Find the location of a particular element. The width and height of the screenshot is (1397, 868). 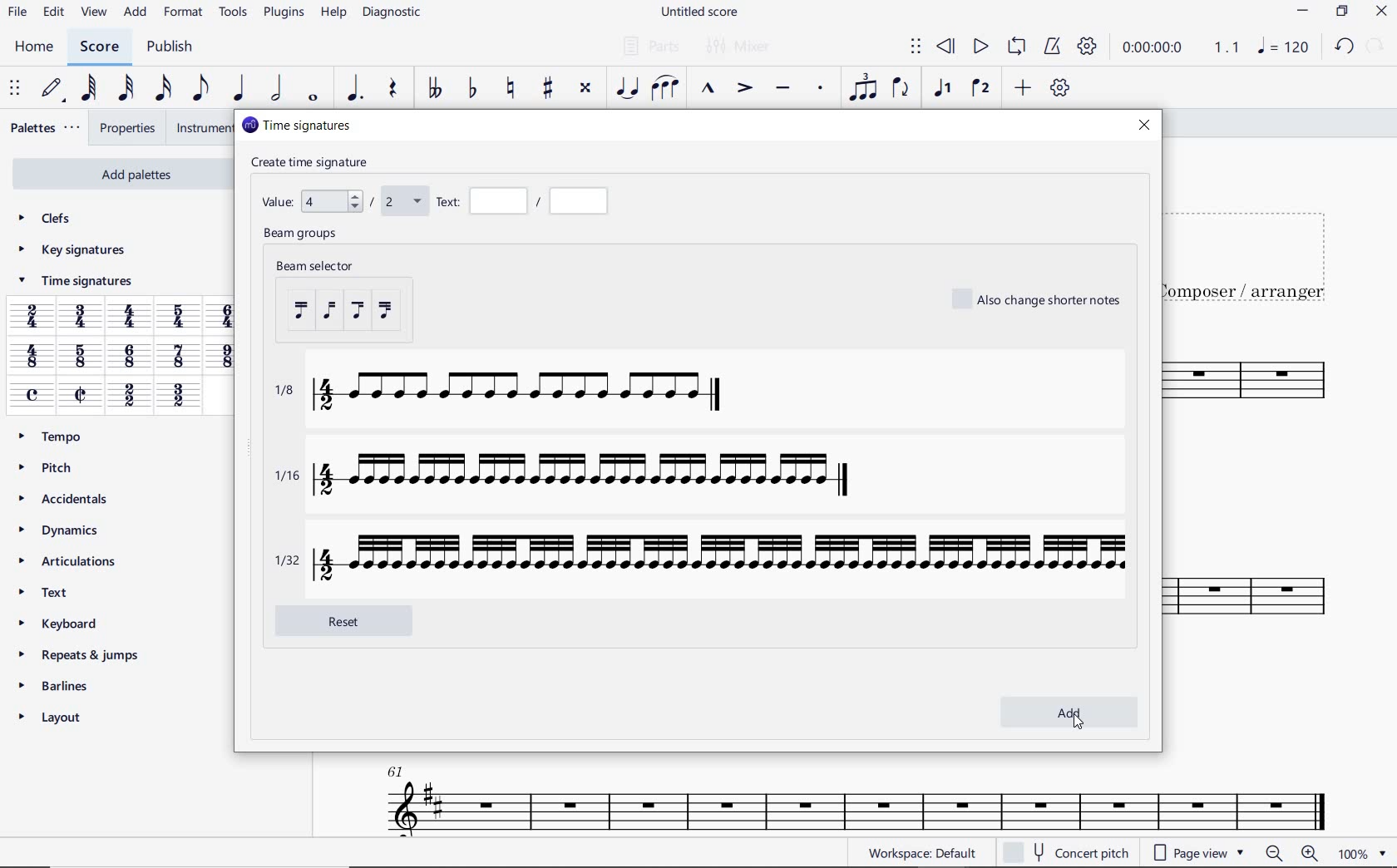

1/32 with time signature 4/2 is located at coordinates (703, 557).